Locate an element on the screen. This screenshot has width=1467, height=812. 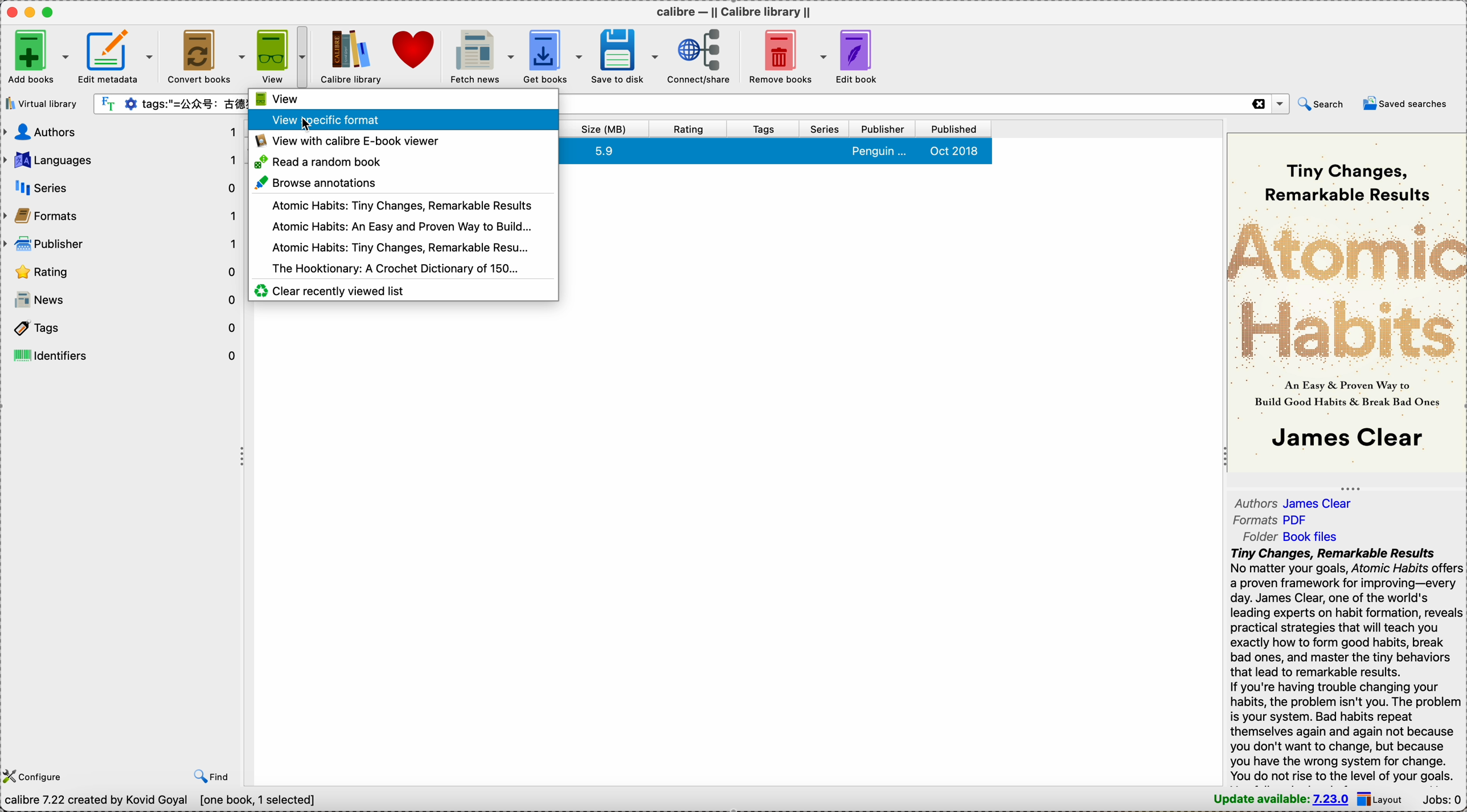
get books is located at coordinates (553, 54).